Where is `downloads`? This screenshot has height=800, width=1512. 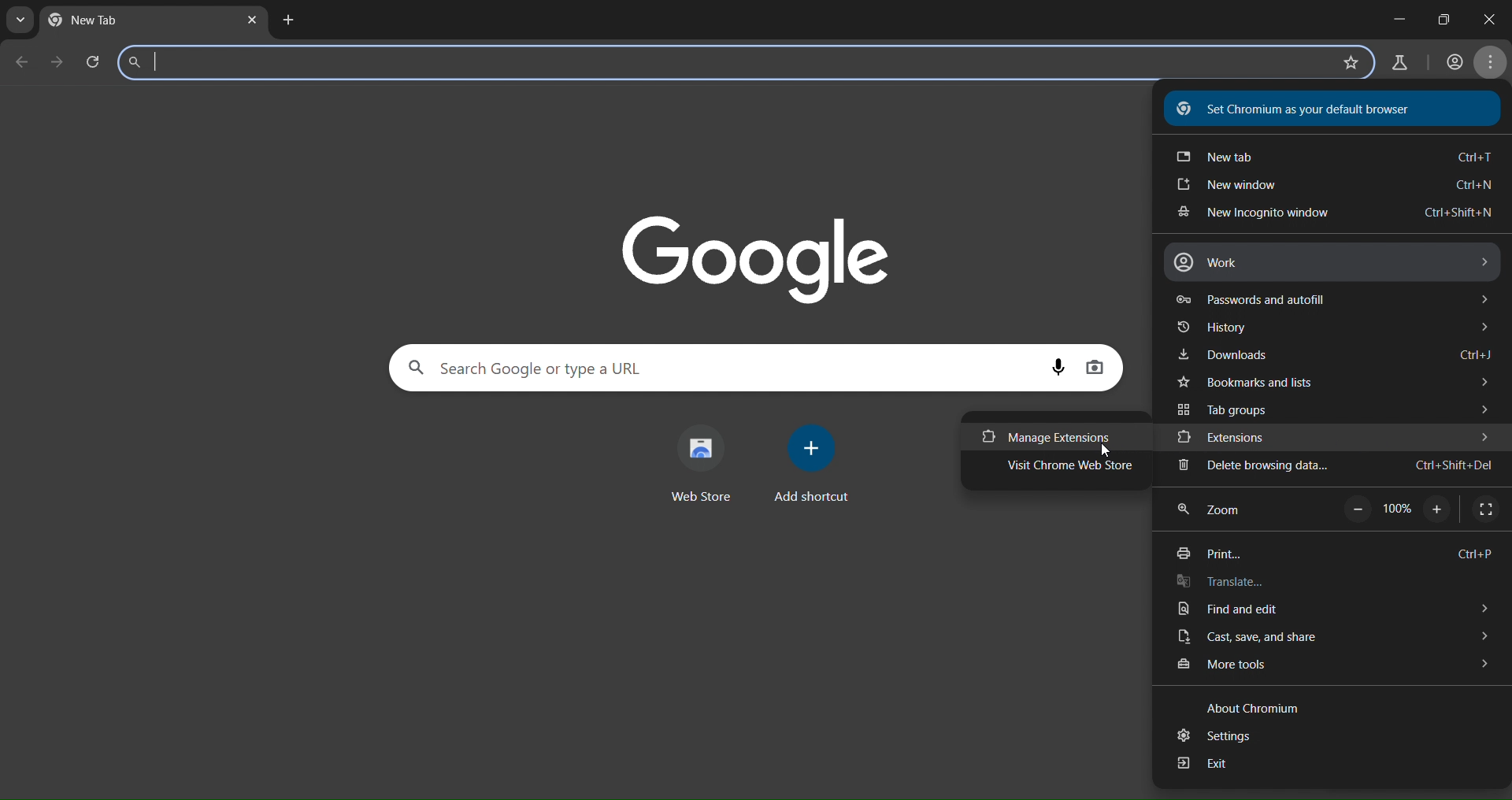 downloads is located at coordinates (1336, 354).